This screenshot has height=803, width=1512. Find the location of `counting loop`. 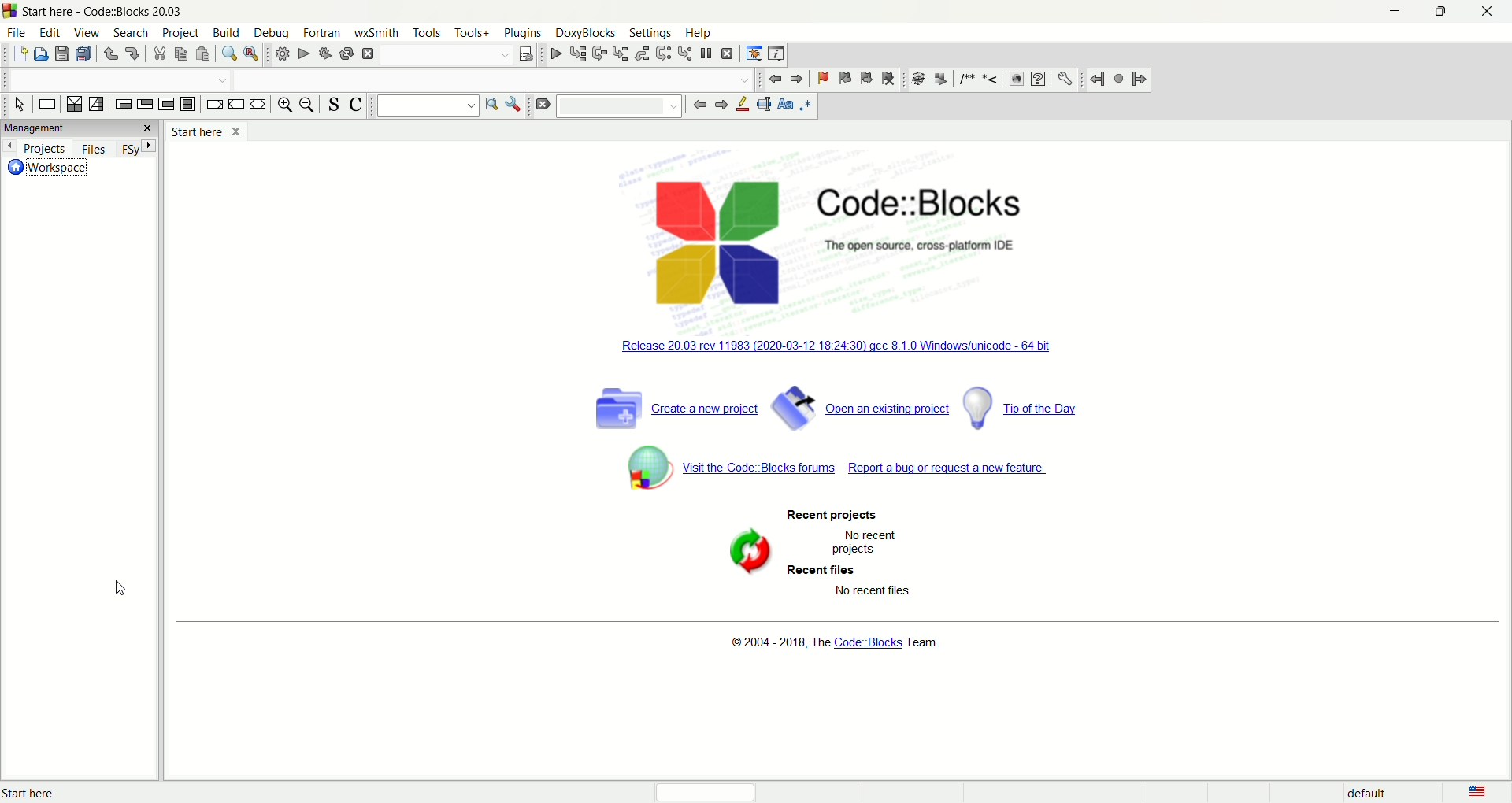

counting loop is located at coordinates (166, 104).